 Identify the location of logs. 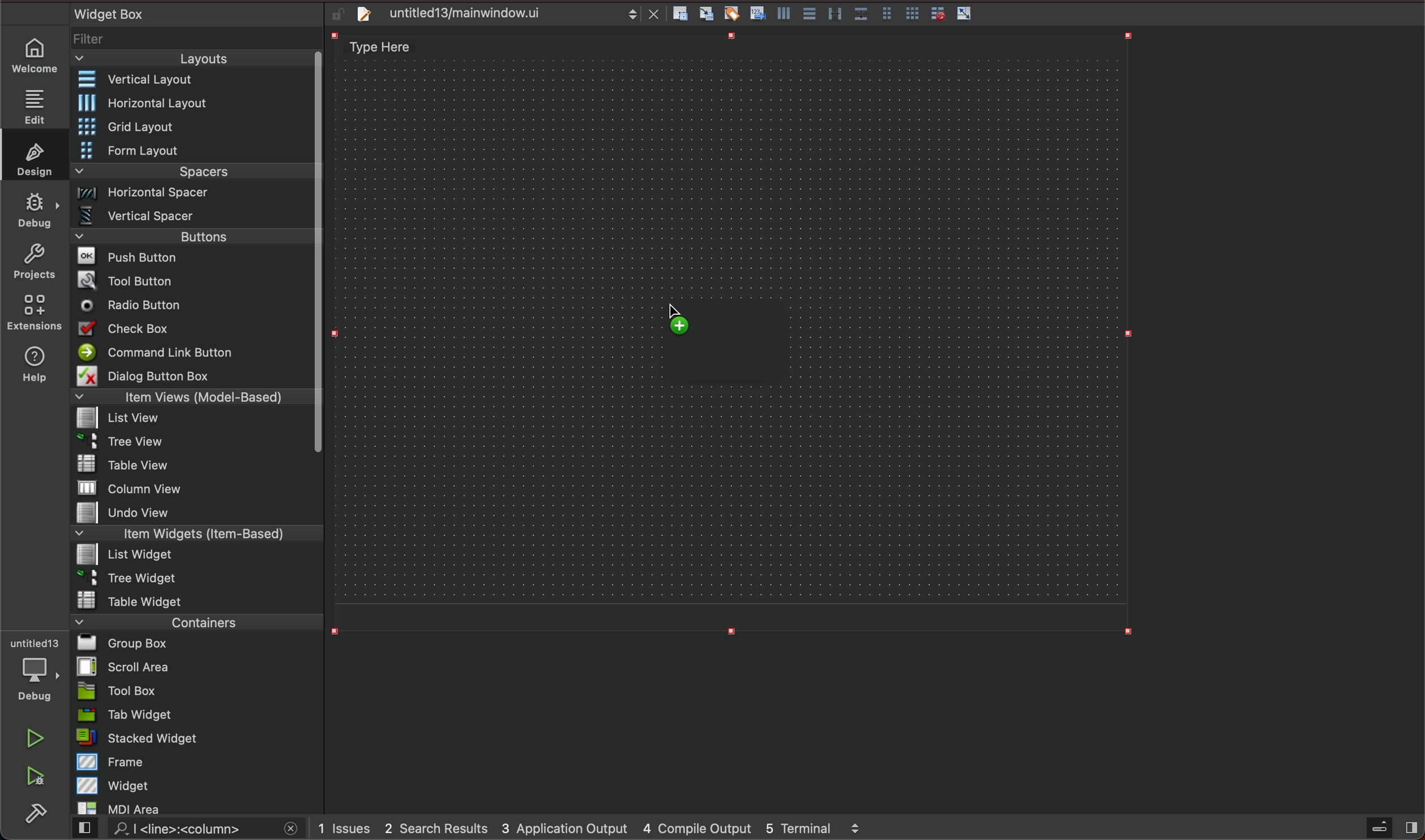
(599, 826).